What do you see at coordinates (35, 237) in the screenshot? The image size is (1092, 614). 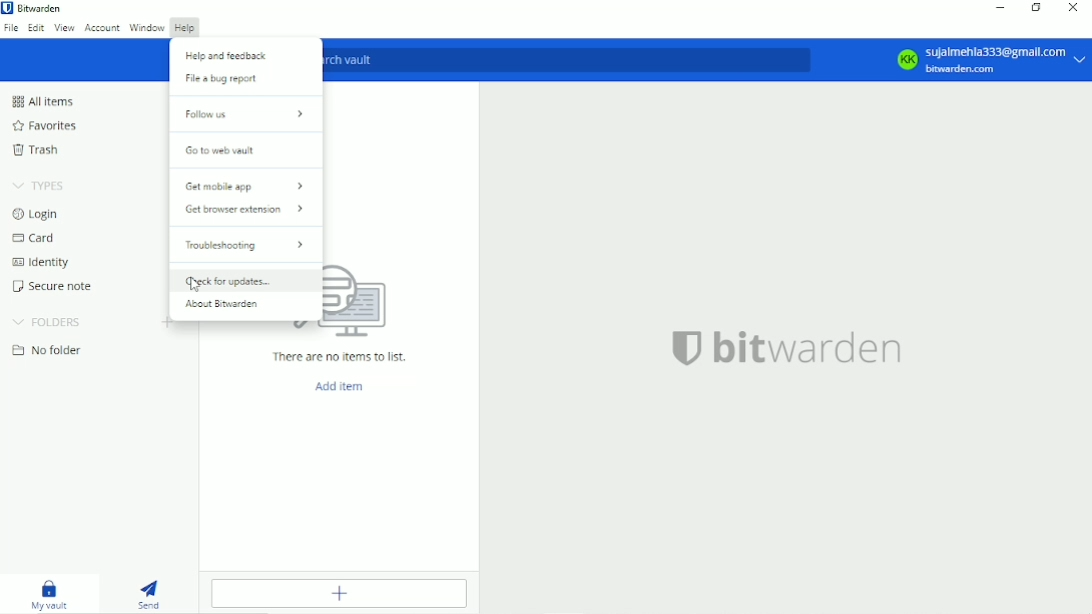 I see `Card` at bounding box center [35, 237].